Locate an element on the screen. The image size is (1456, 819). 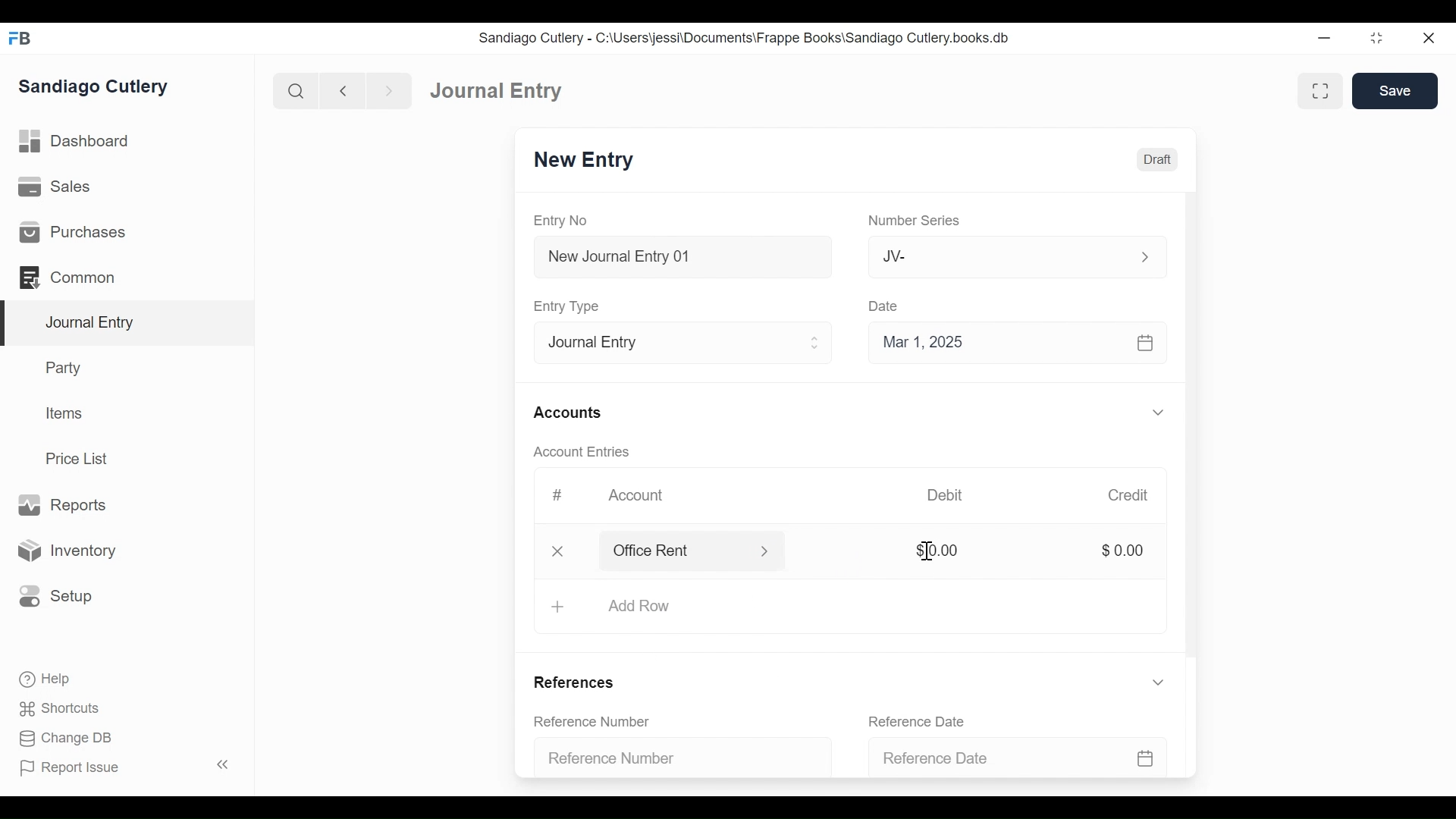
scrollbar is located at coordinates (1190, 426).